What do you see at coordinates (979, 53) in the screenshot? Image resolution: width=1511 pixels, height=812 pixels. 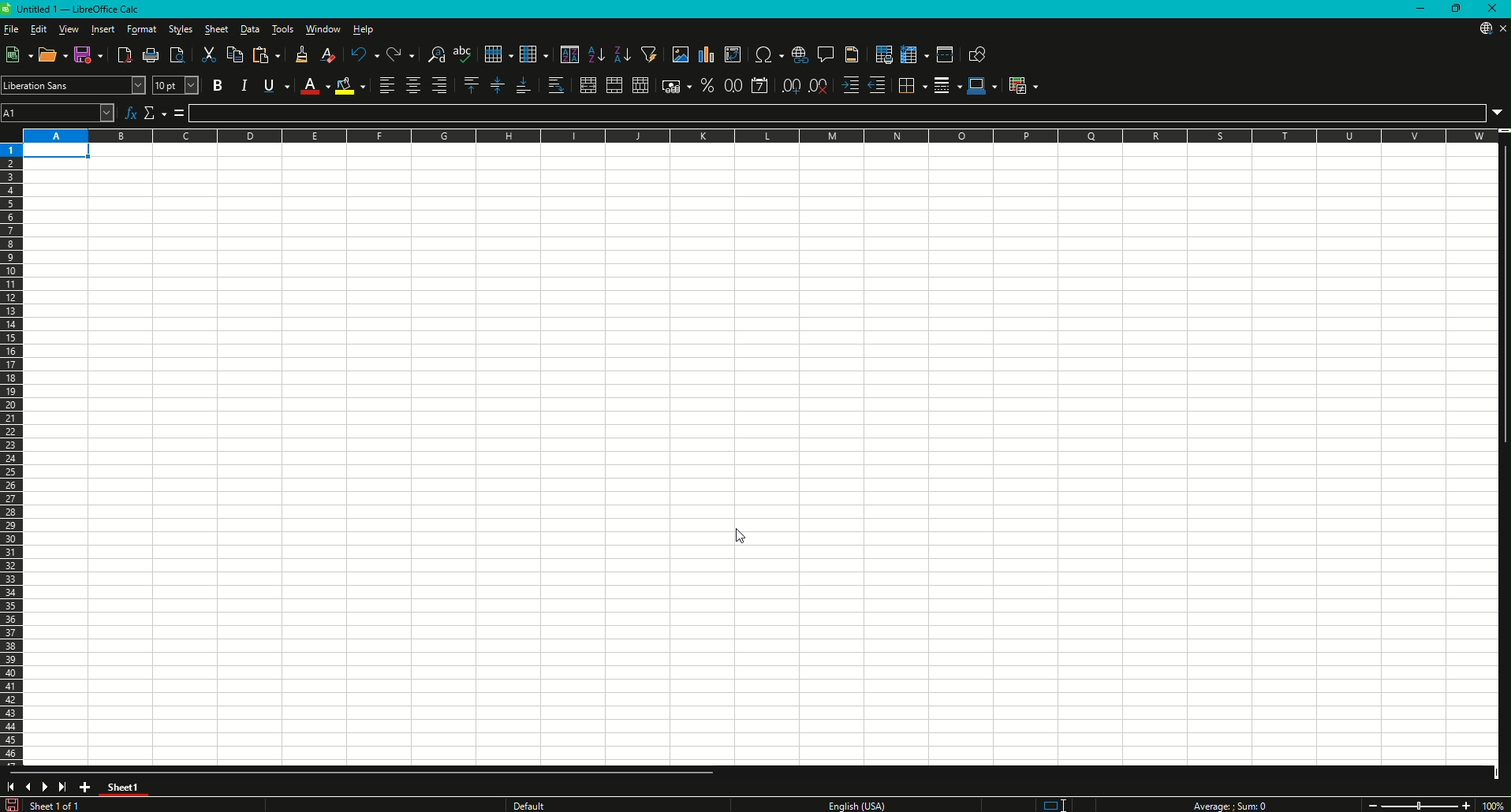 I see `Show Draw Function` at bounding box center [979, 53].